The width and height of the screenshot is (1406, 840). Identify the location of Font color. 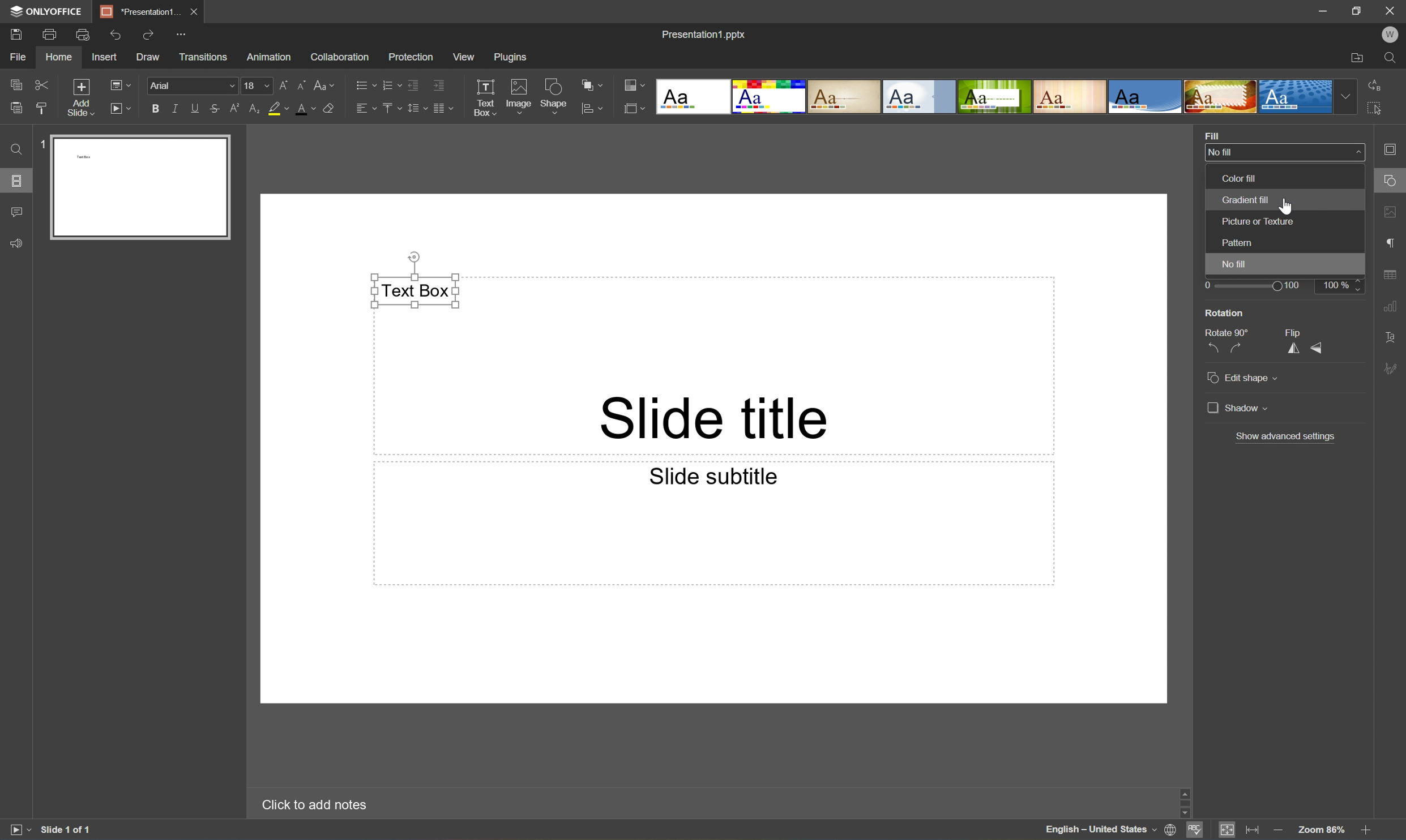
(304, 109).